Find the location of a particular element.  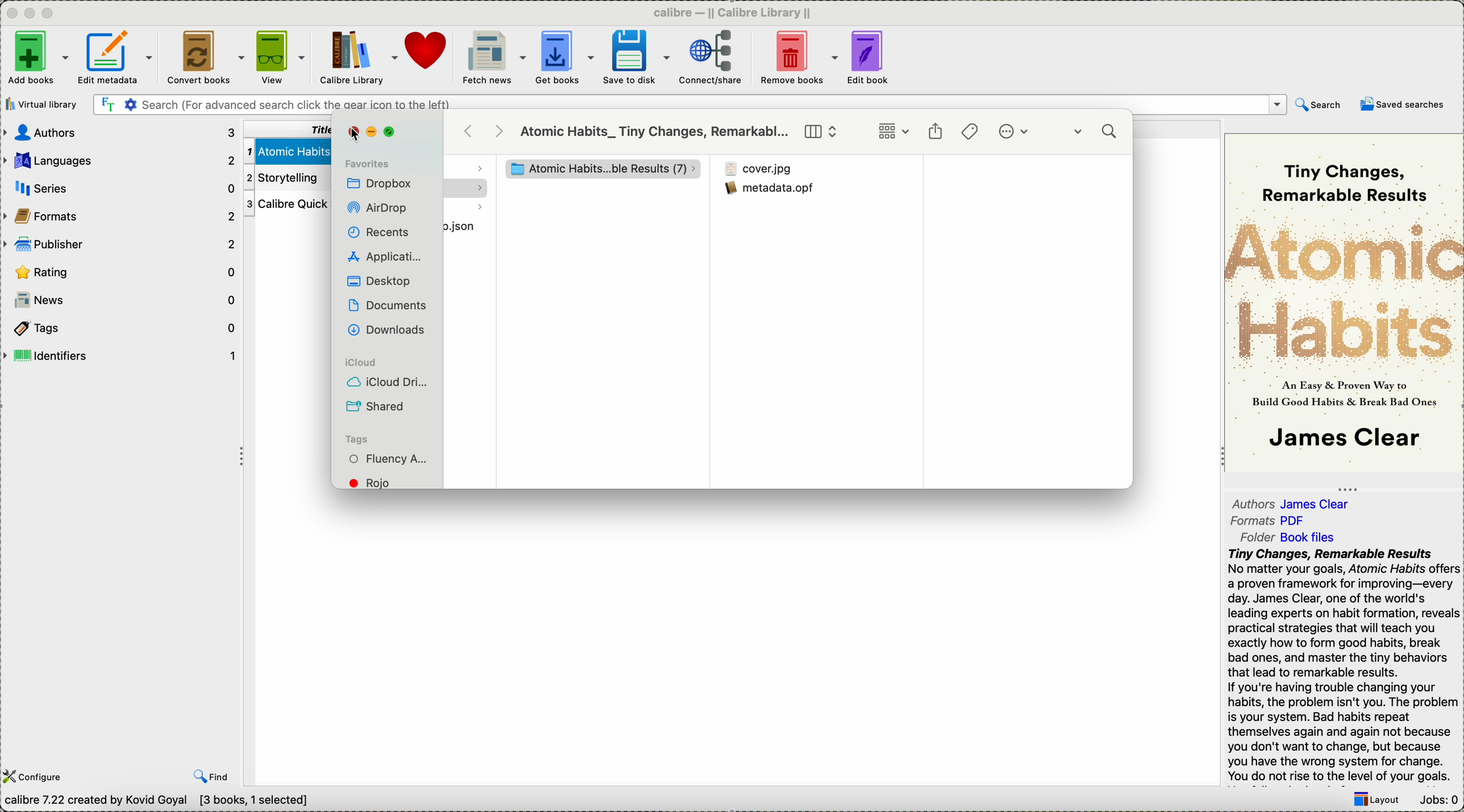

Documents is located at coordinates (388, 305).